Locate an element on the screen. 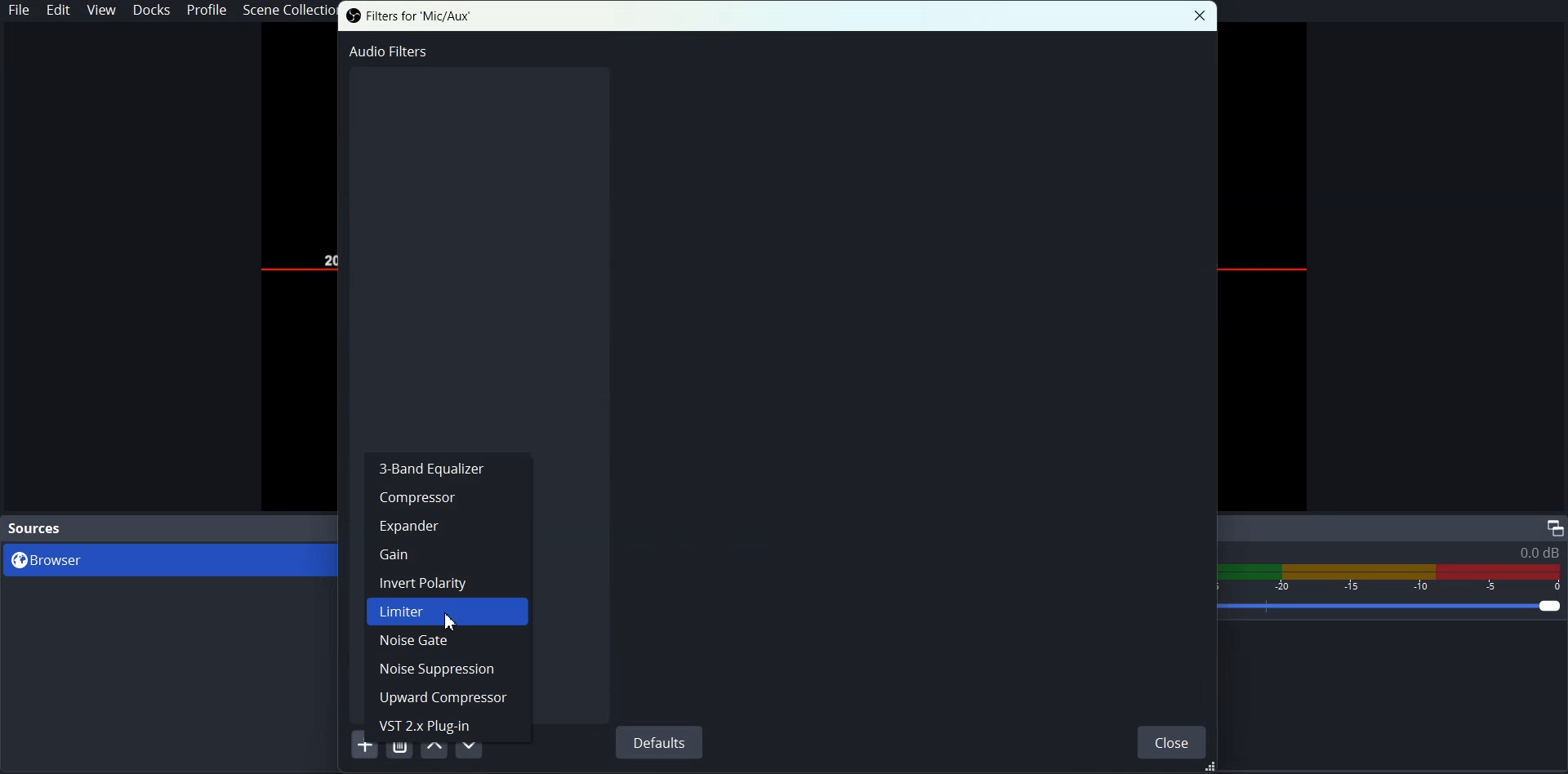 Image resolution: width=1568 pixels, height=774 pixels. Add Filter is located at coordinates (363, 750).